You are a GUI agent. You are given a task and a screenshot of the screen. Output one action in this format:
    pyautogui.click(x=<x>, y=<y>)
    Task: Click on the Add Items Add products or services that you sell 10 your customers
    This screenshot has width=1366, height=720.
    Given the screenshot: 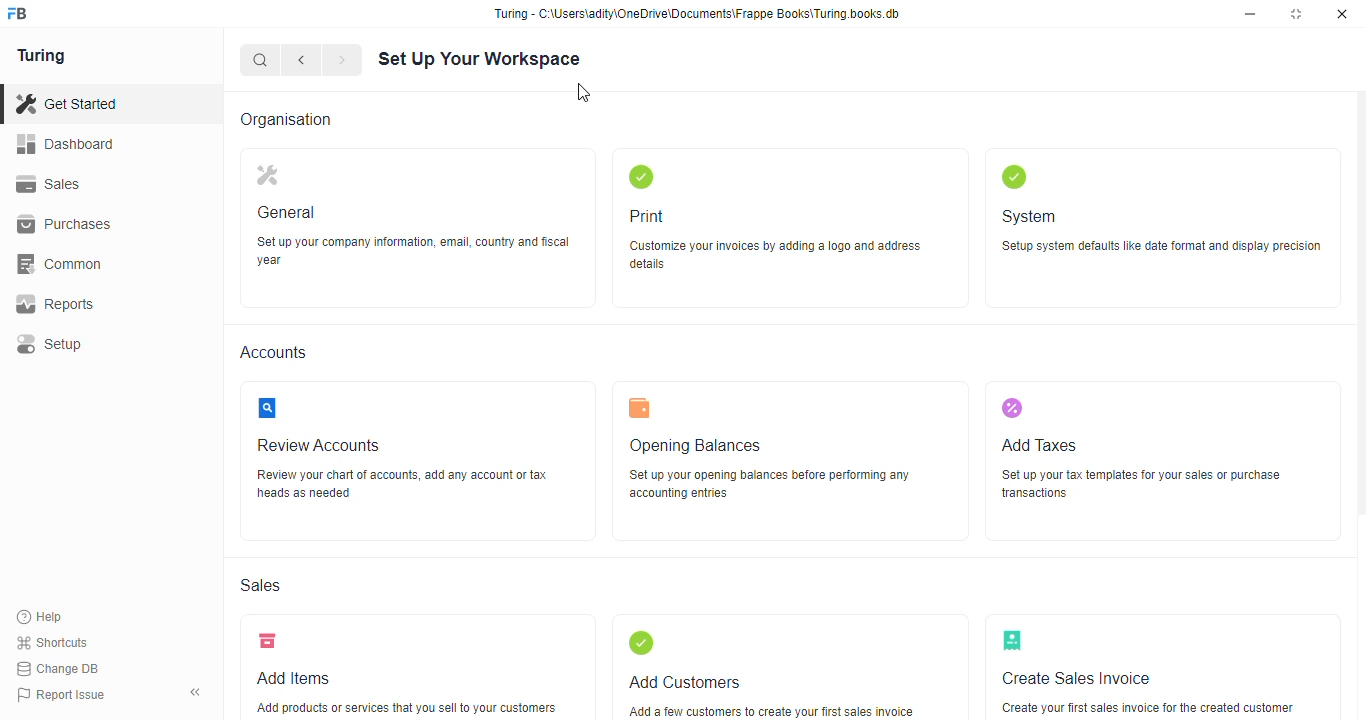 What is the action you would take?
    pyautogui.click(x=407, y=666)
    